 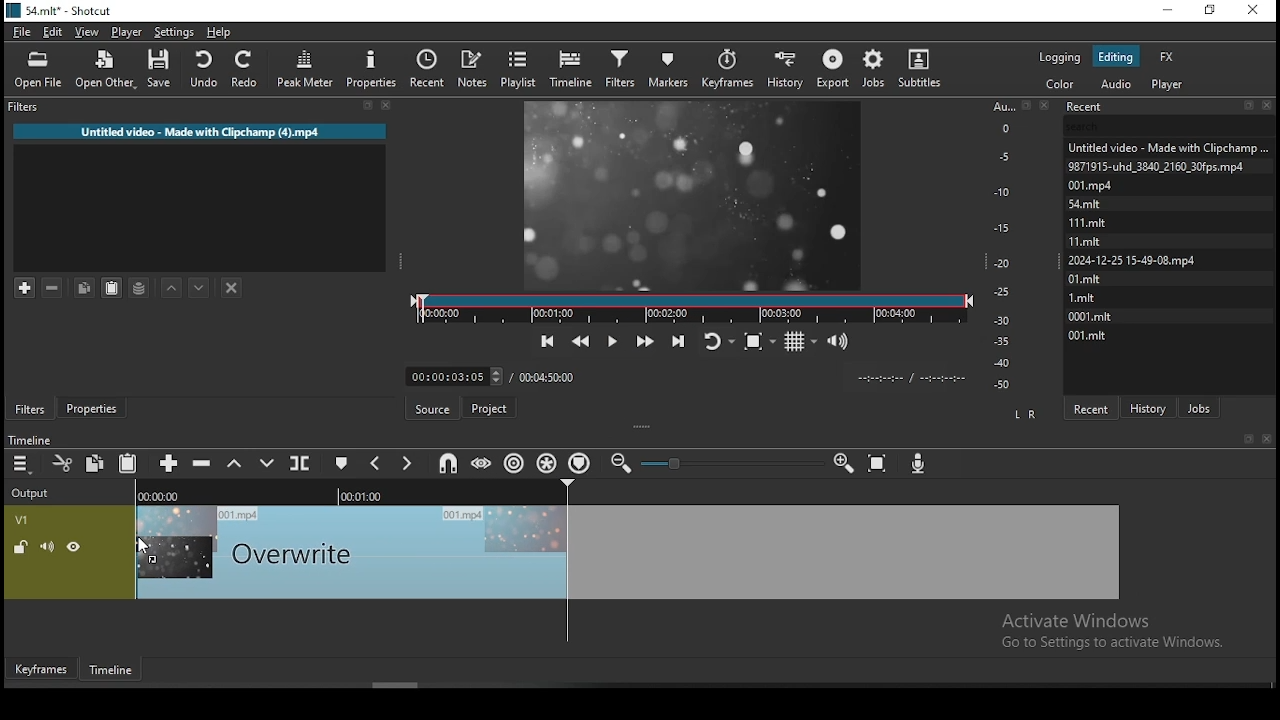 I want to click on files, so click(x=1084, y=220).